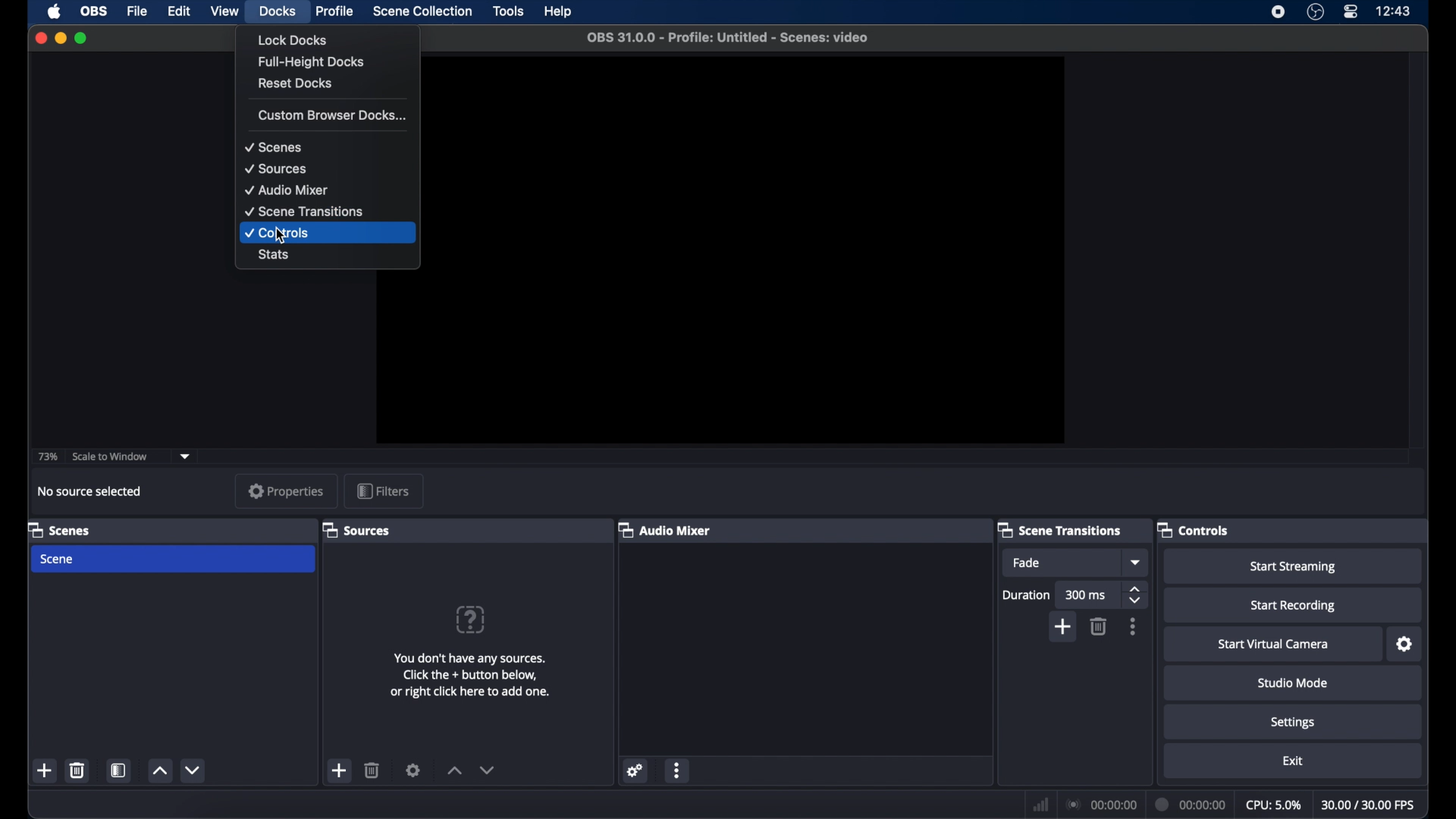 The width and height of the screenshot is (1456, 819). I want to click on audio mixer, so click(664, 530).